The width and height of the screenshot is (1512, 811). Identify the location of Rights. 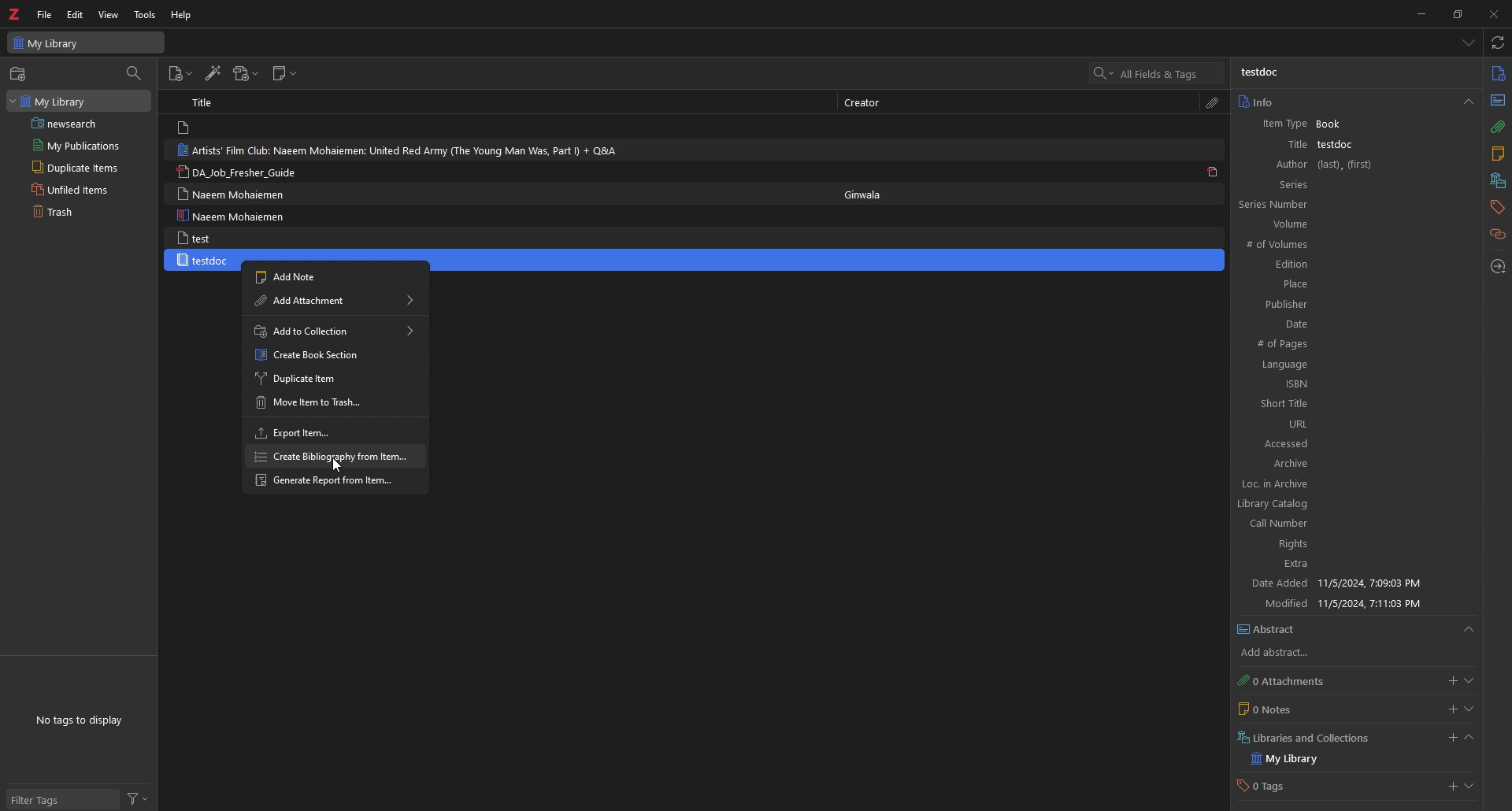
(1343, 546).